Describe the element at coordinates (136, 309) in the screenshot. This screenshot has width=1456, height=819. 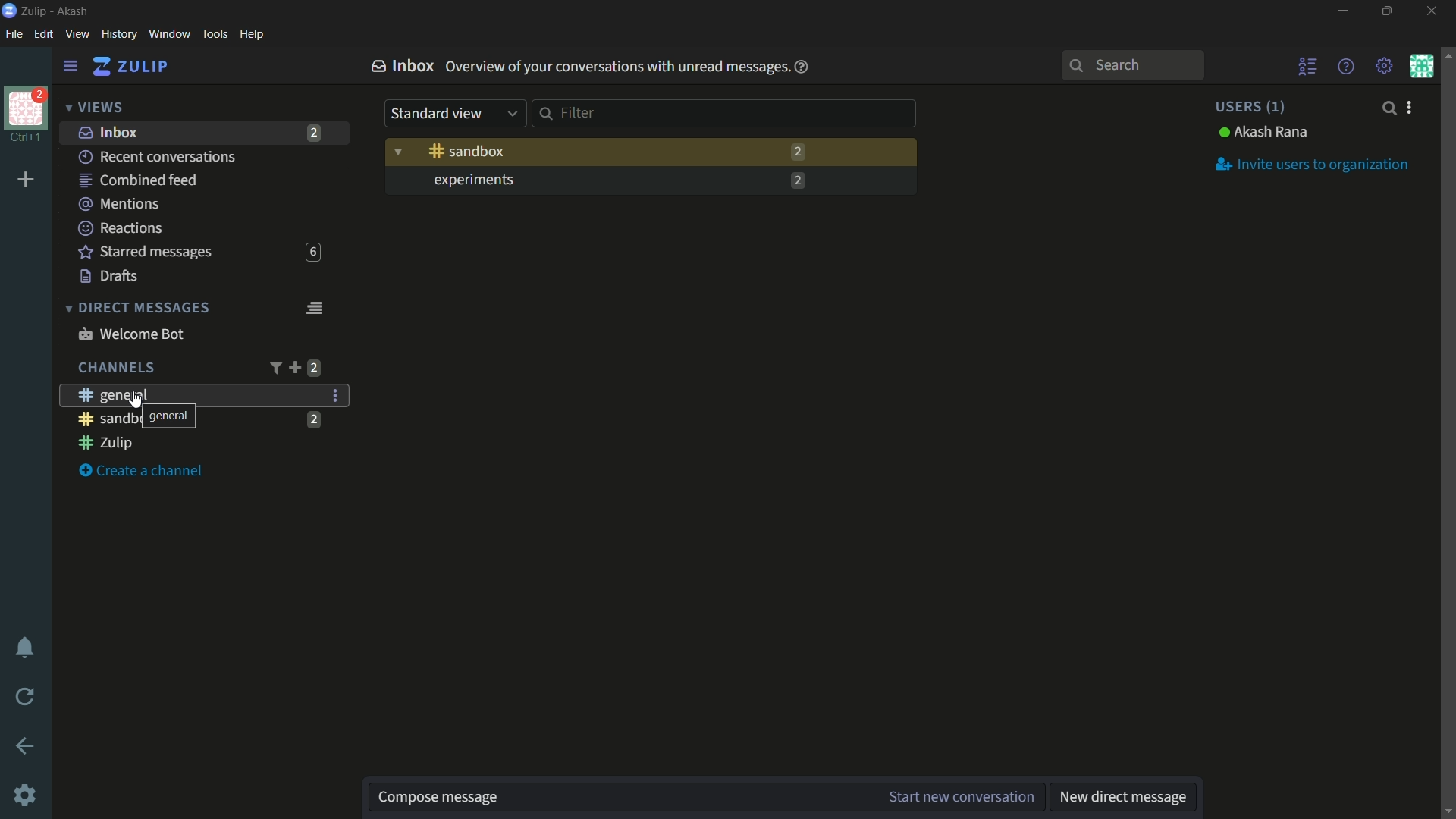
I see `direct messages dropdown` at that location.